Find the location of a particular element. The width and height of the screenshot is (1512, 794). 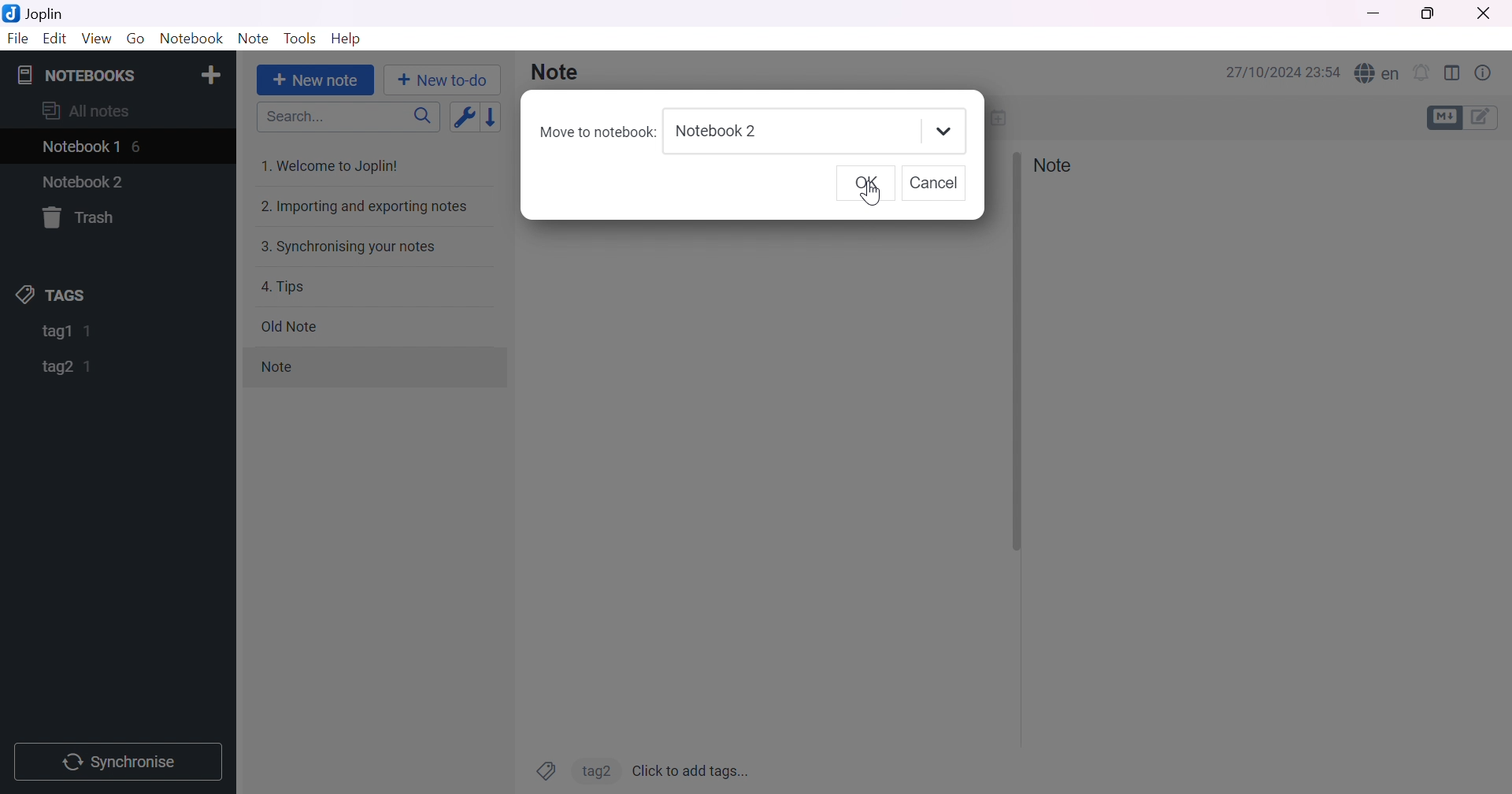

NOTEBOOKS is located at coordinates (74, 73).